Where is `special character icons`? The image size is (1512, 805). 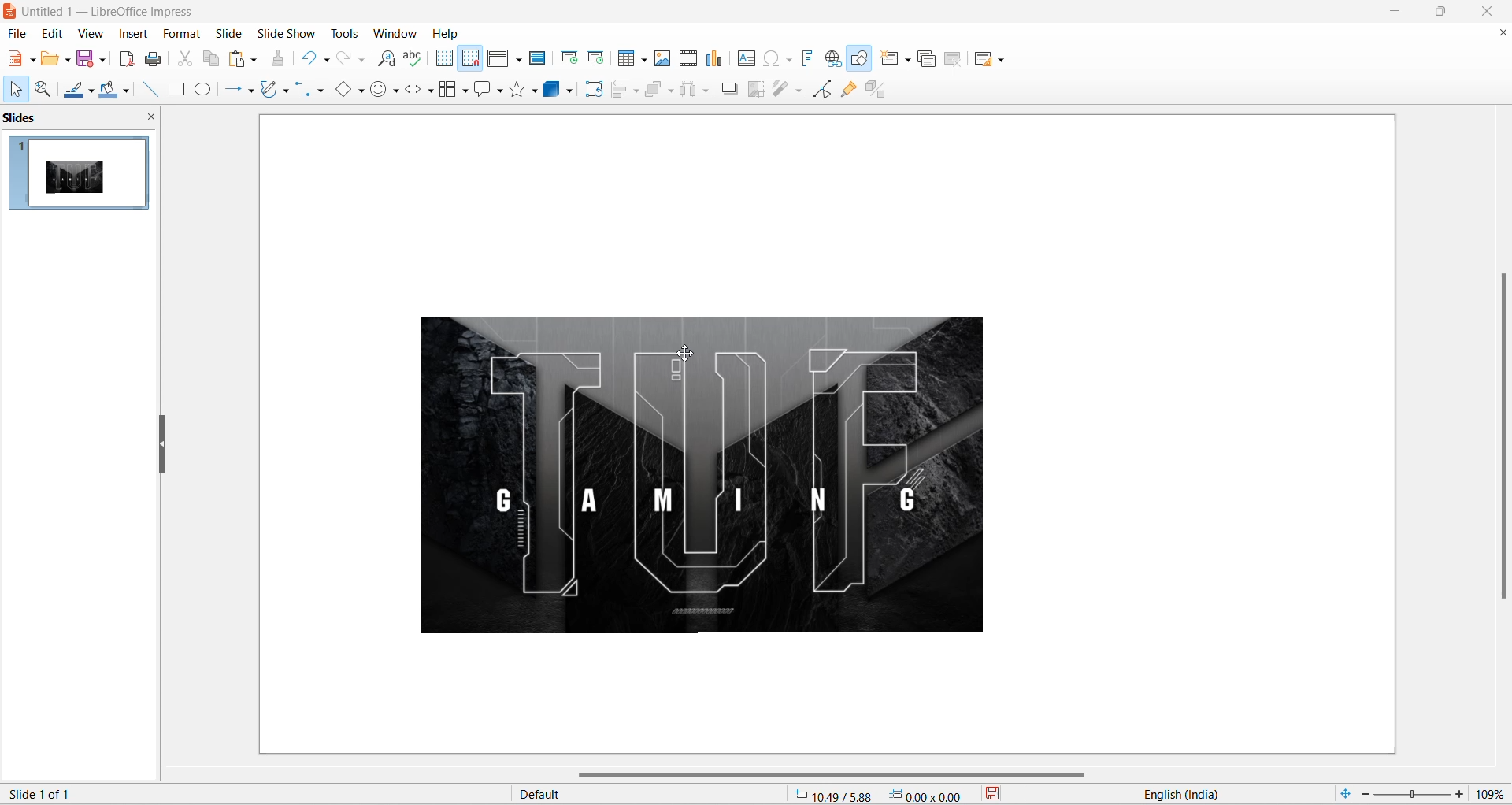
special character icons is located at coordinates (787, 58).